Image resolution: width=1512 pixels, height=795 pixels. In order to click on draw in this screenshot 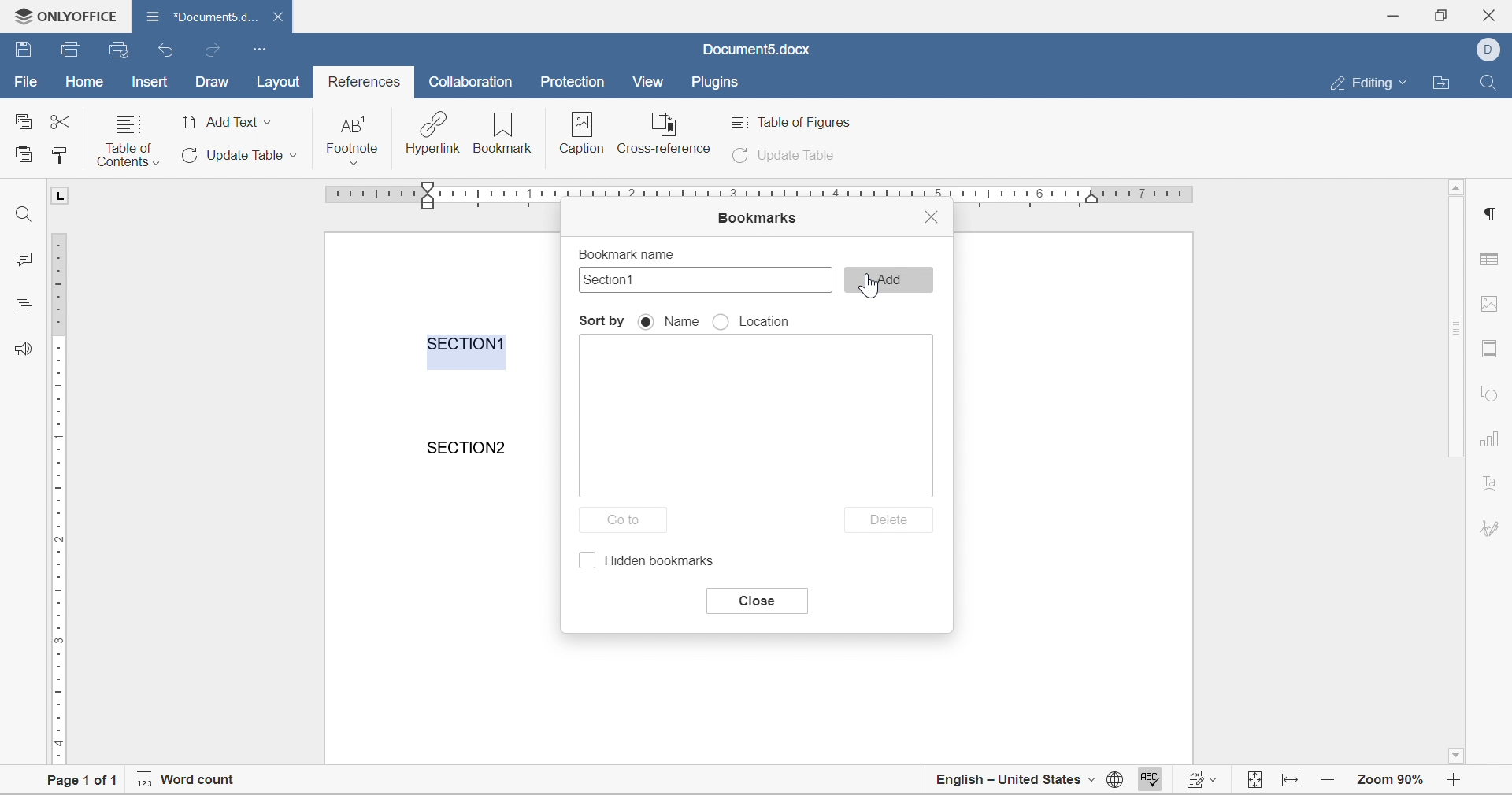, I will do `click(212, 83)`.